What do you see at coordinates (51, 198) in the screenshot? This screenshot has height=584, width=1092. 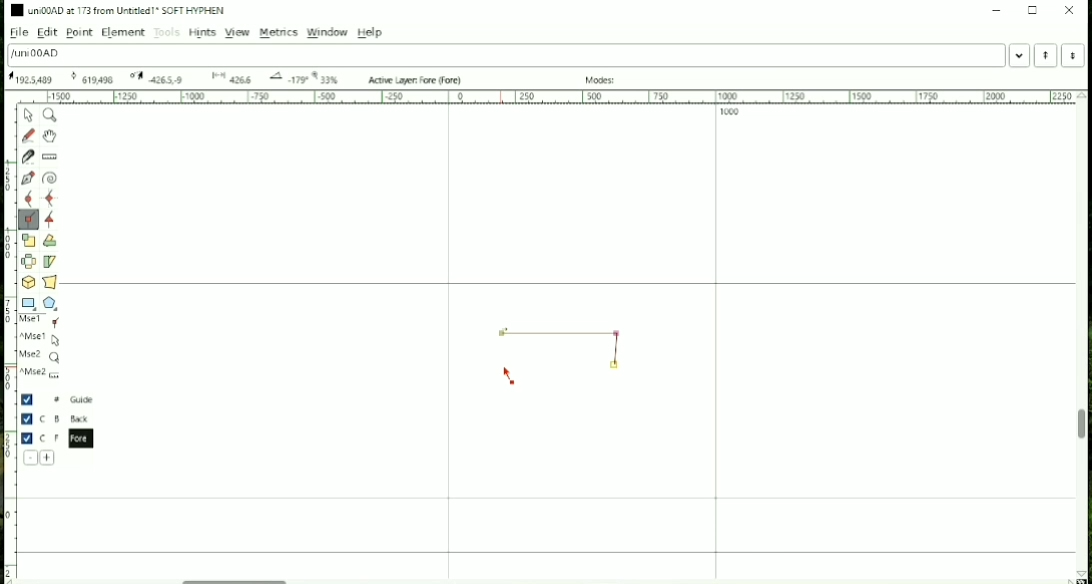 I see `Add a curve point always either horizontal or vertical` at bounding box center [51, 198].